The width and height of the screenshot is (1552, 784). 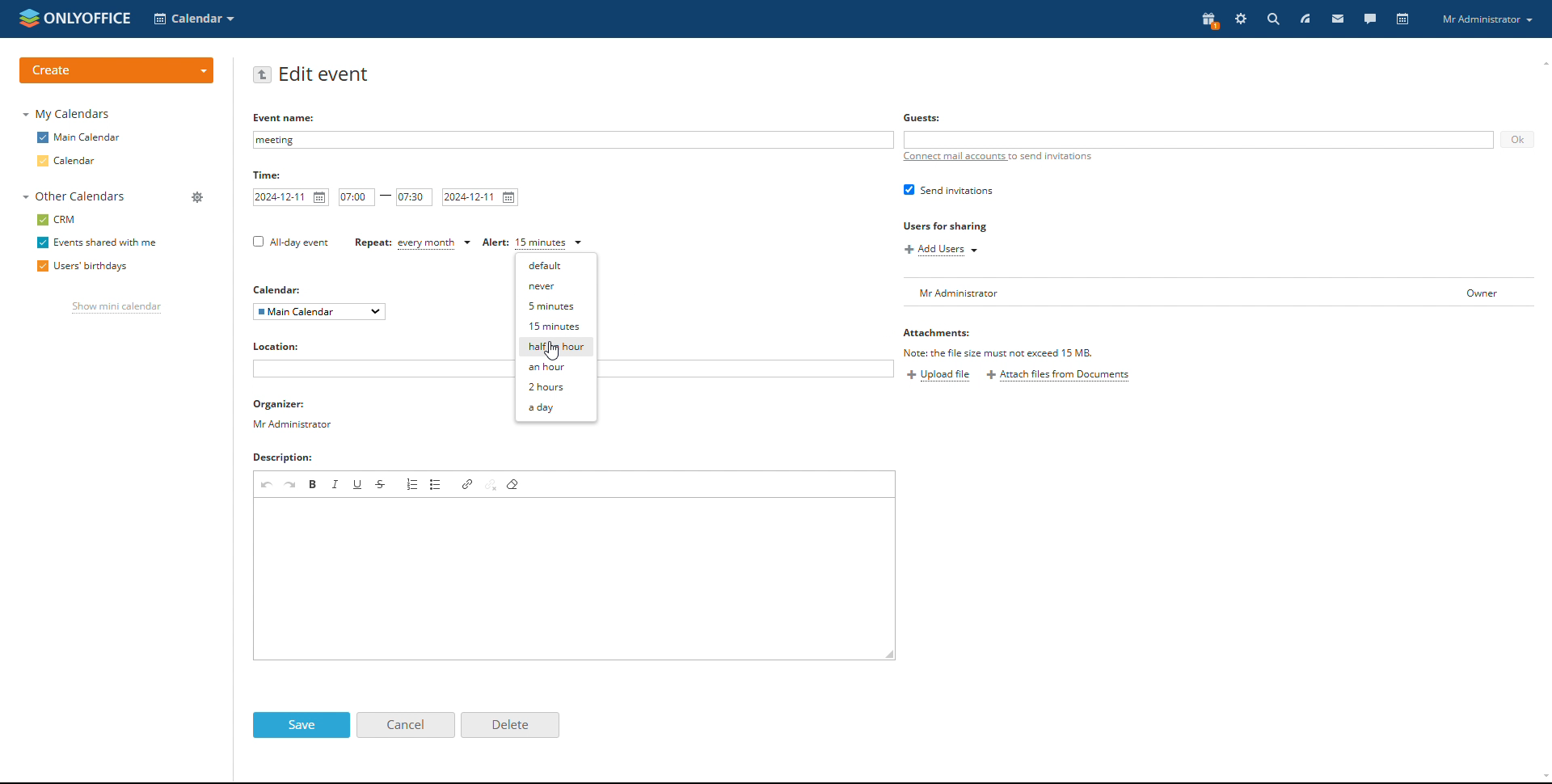 I want to click on 15 minutes, so click(x=557, y=327).